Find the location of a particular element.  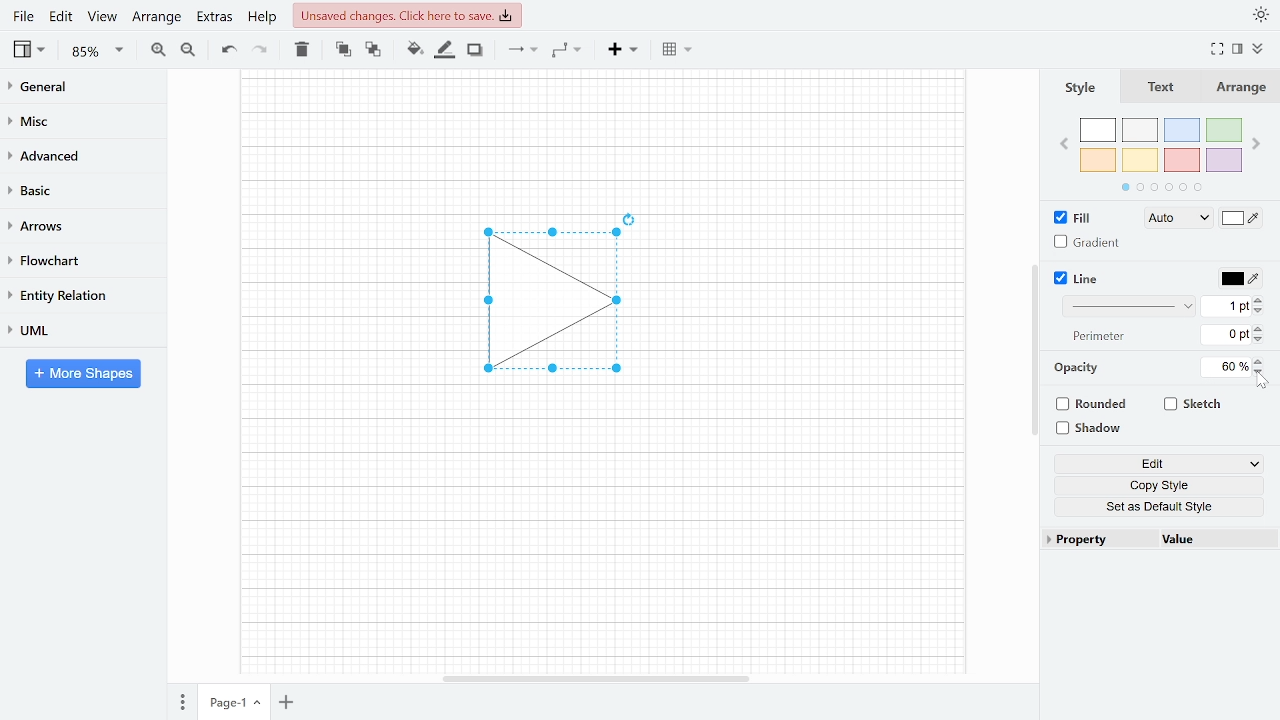

green is located at coordinates (1225, 131).